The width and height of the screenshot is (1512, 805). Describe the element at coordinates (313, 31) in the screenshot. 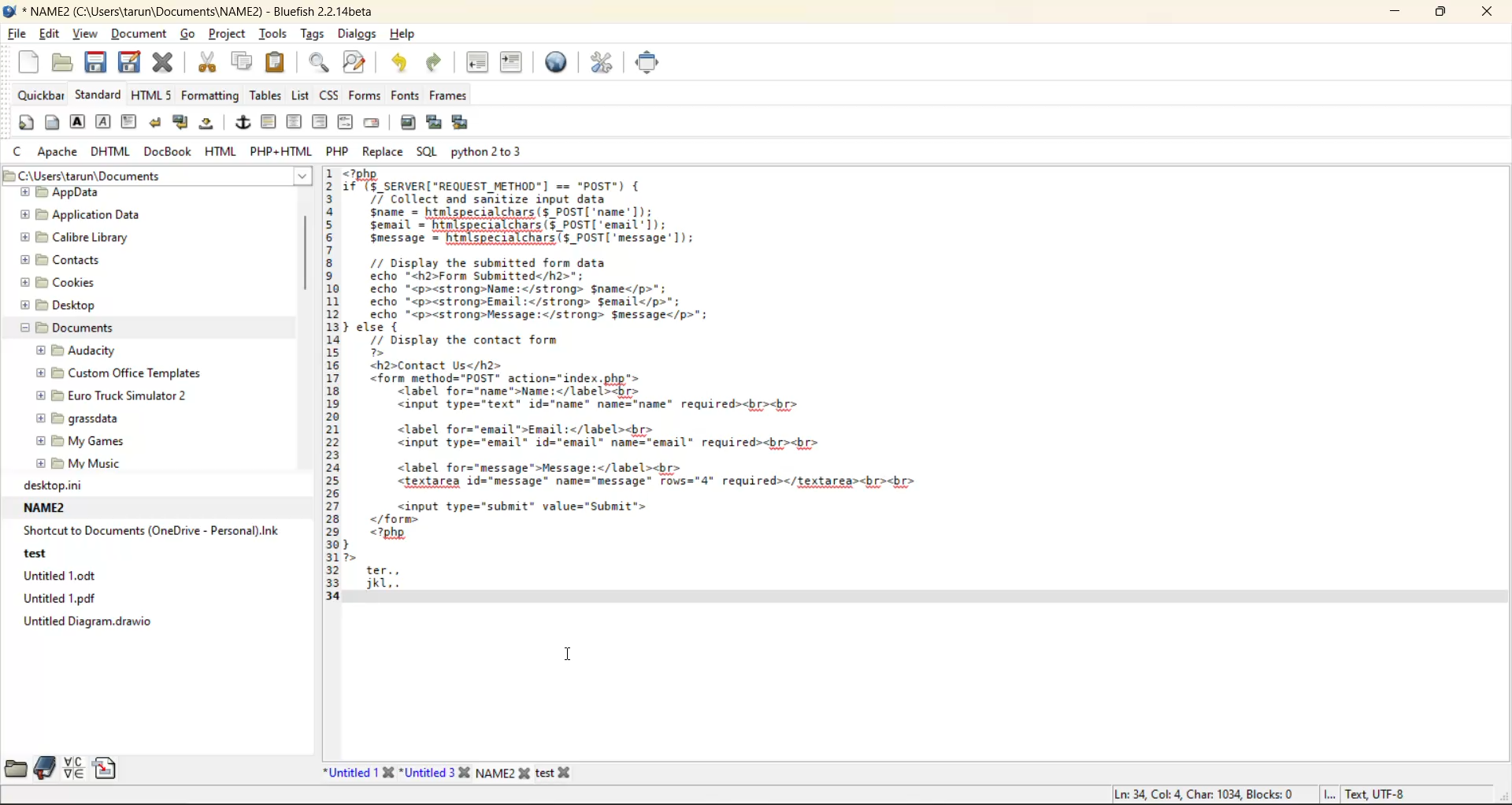

I see `tags` at that location.